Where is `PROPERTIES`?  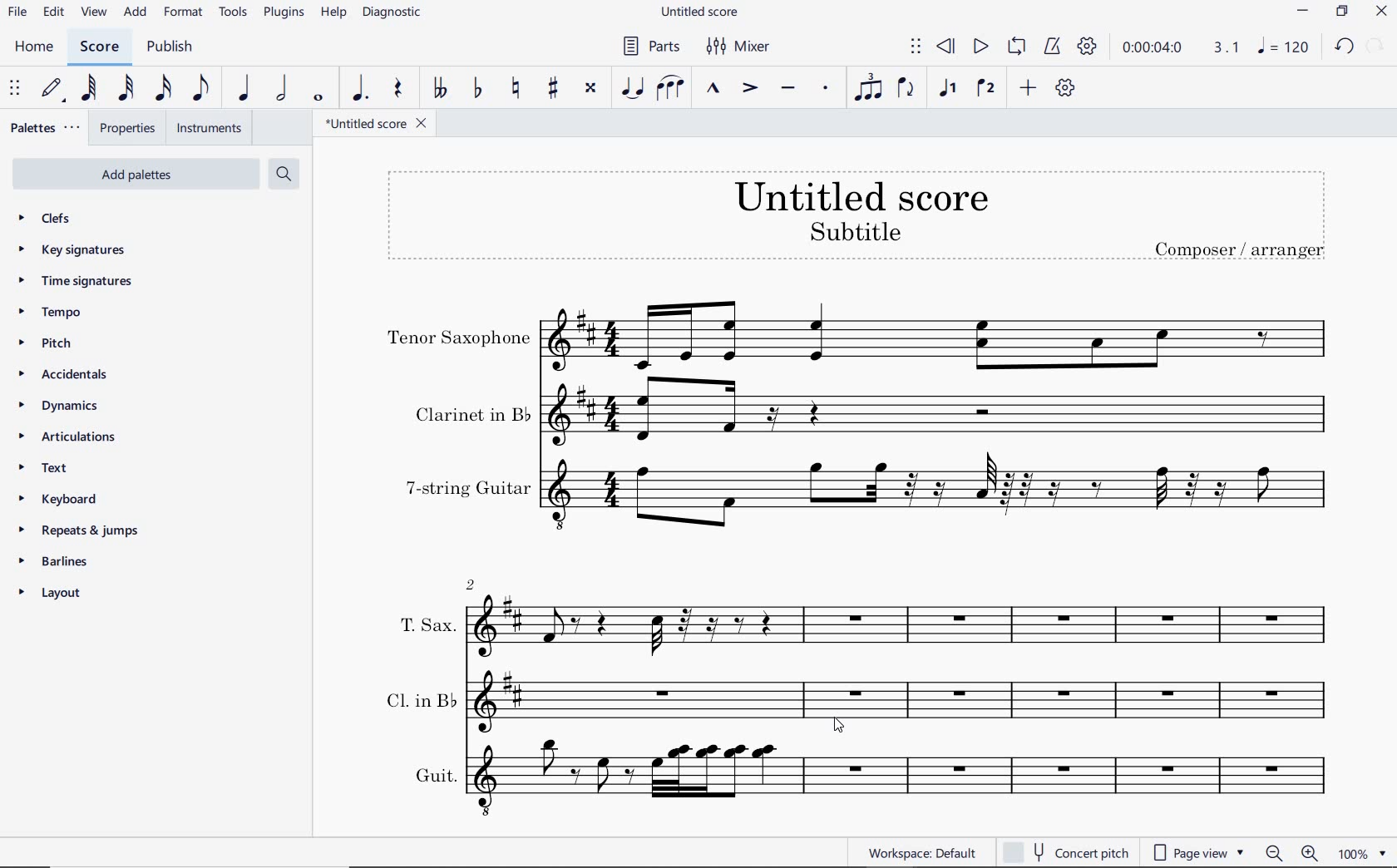
PROPERTIES is located at coordinates (128, 128).